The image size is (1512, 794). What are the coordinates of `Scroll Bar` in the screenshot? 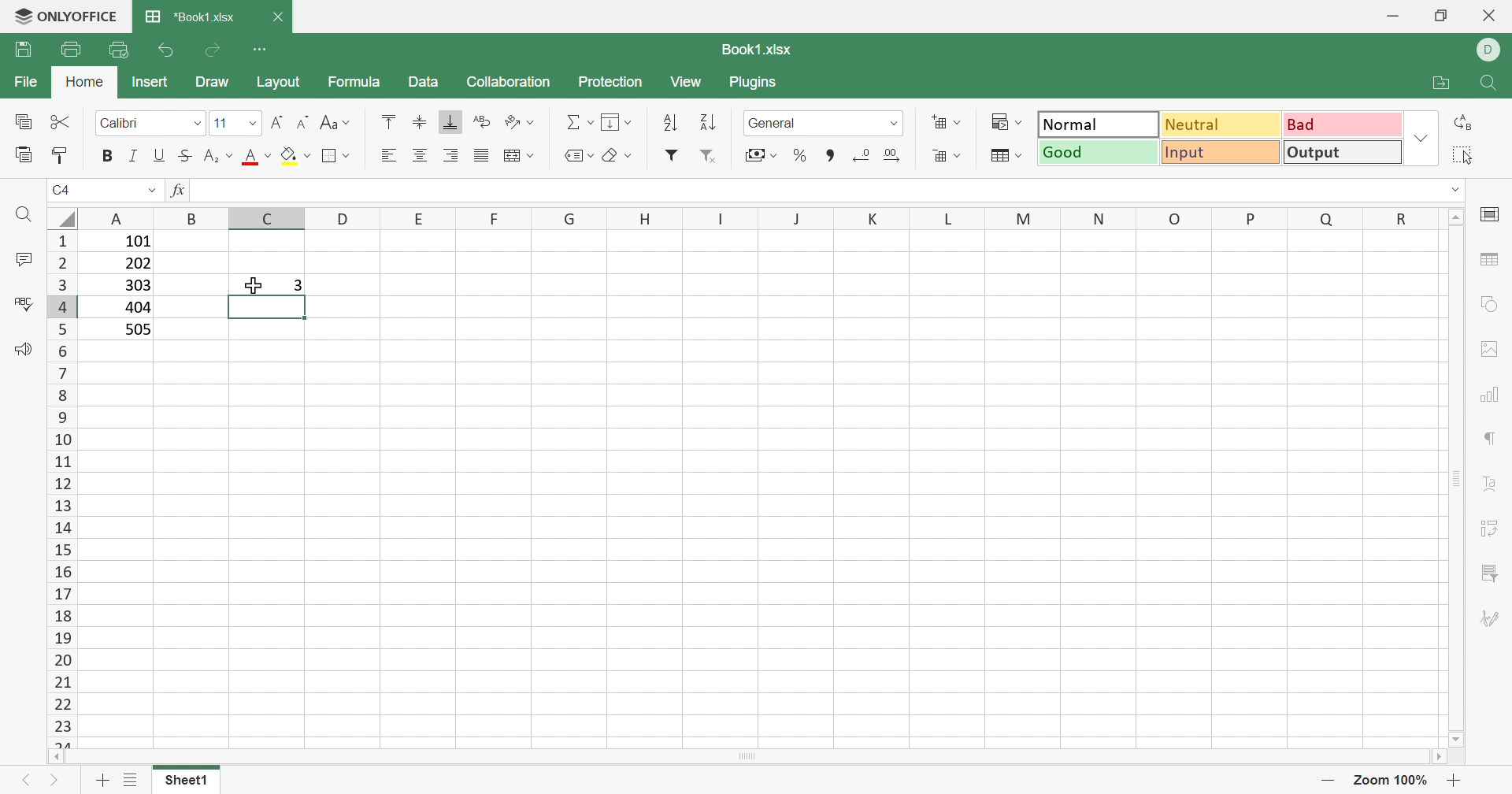 It's located at (752, 762).